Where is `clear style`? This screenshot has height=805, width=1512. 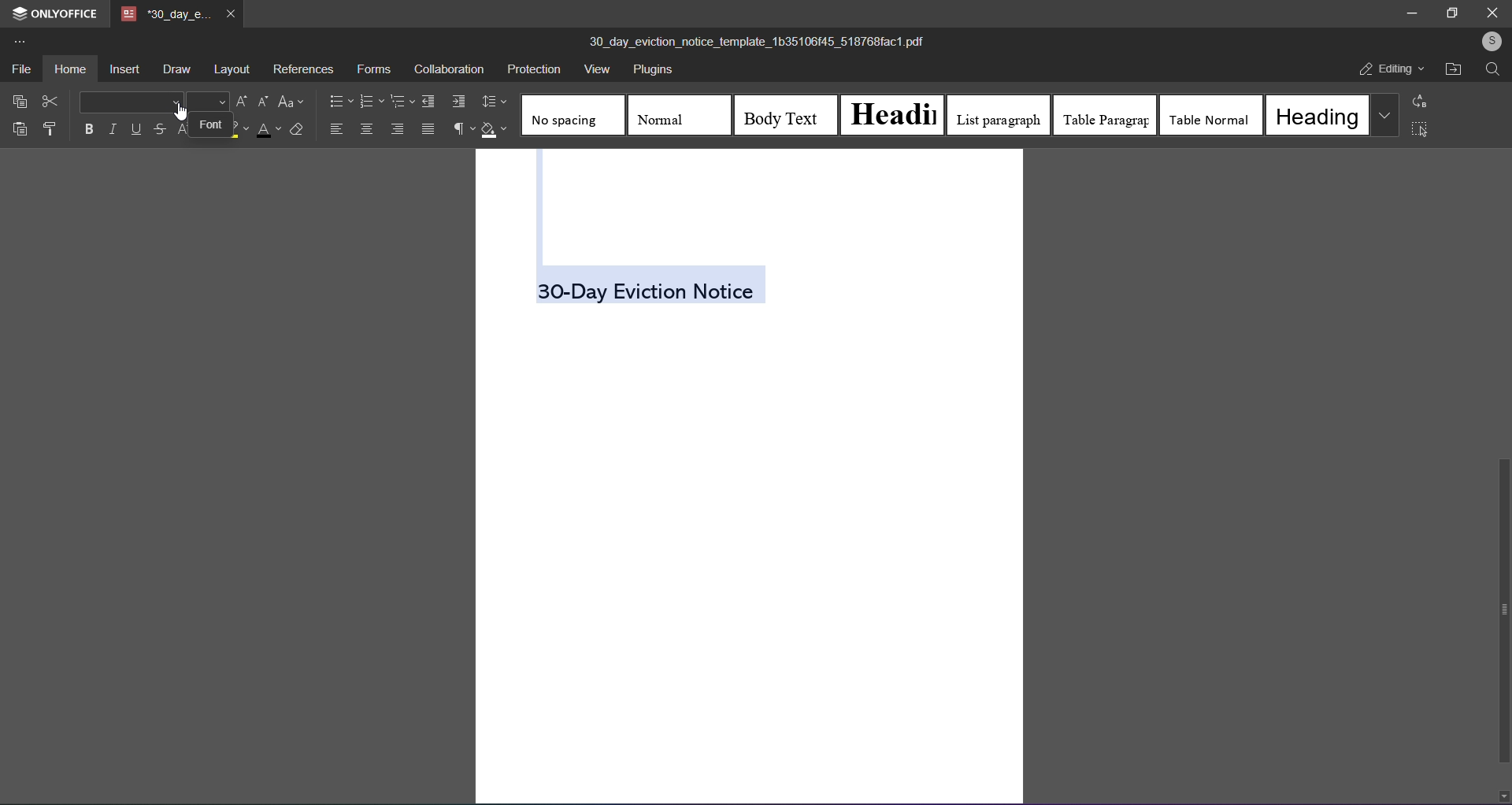
clear style is located at coordinates (297, 129).